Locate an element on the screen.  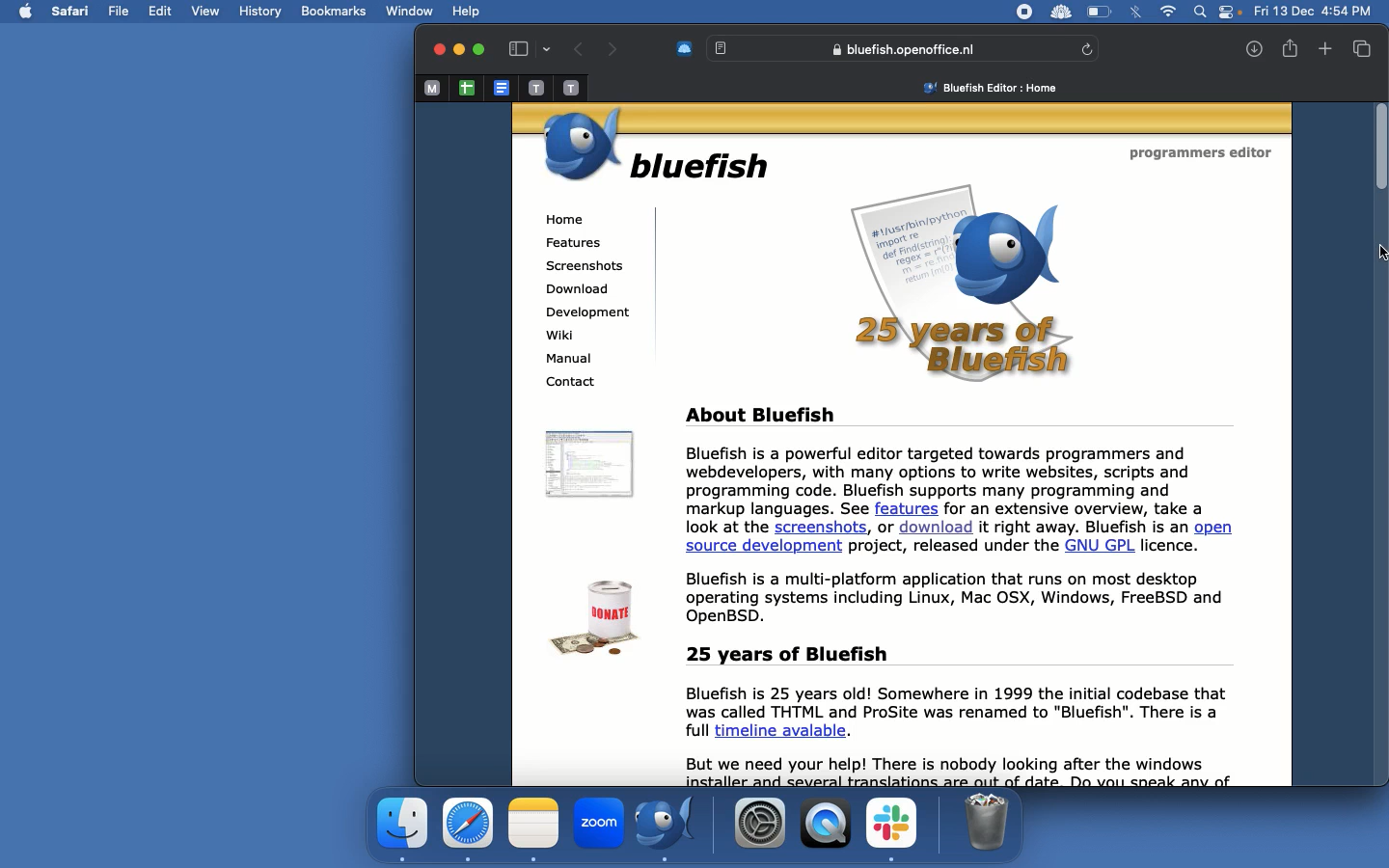
Tabs is located at coordinates (1362, 49).